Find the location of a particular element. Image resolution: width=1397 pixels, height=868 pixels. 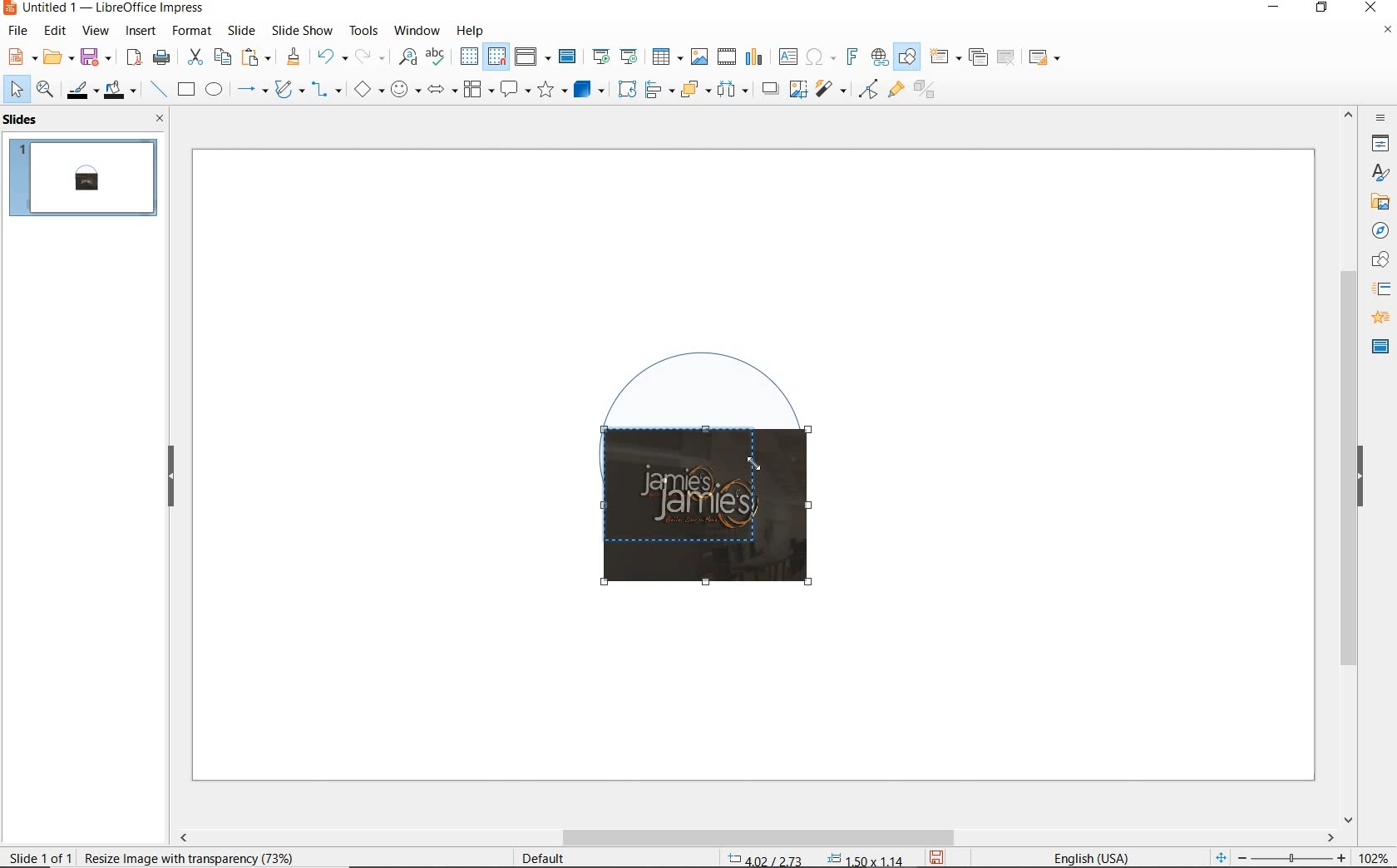

shapes is located at coordinates (1378, 260).